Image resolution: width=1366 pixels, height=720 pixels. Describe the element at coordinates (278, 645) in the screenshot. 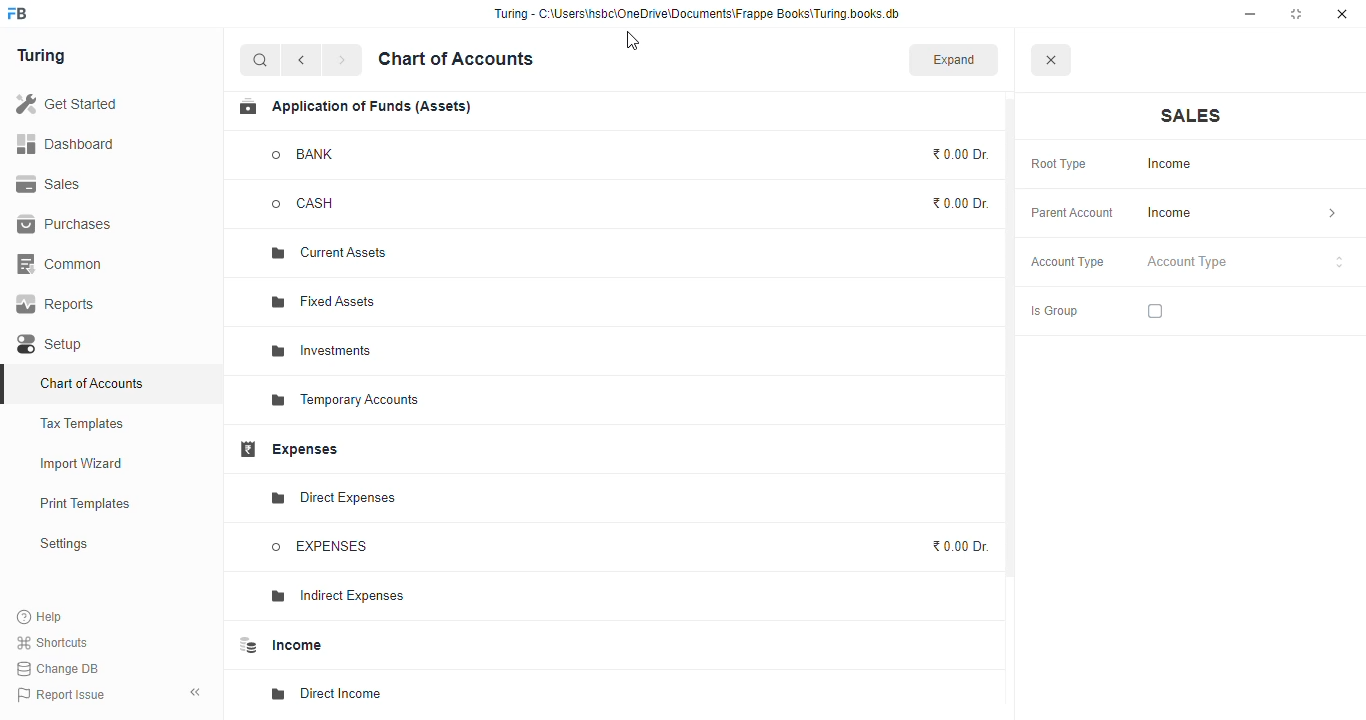

I see `income` at that location.